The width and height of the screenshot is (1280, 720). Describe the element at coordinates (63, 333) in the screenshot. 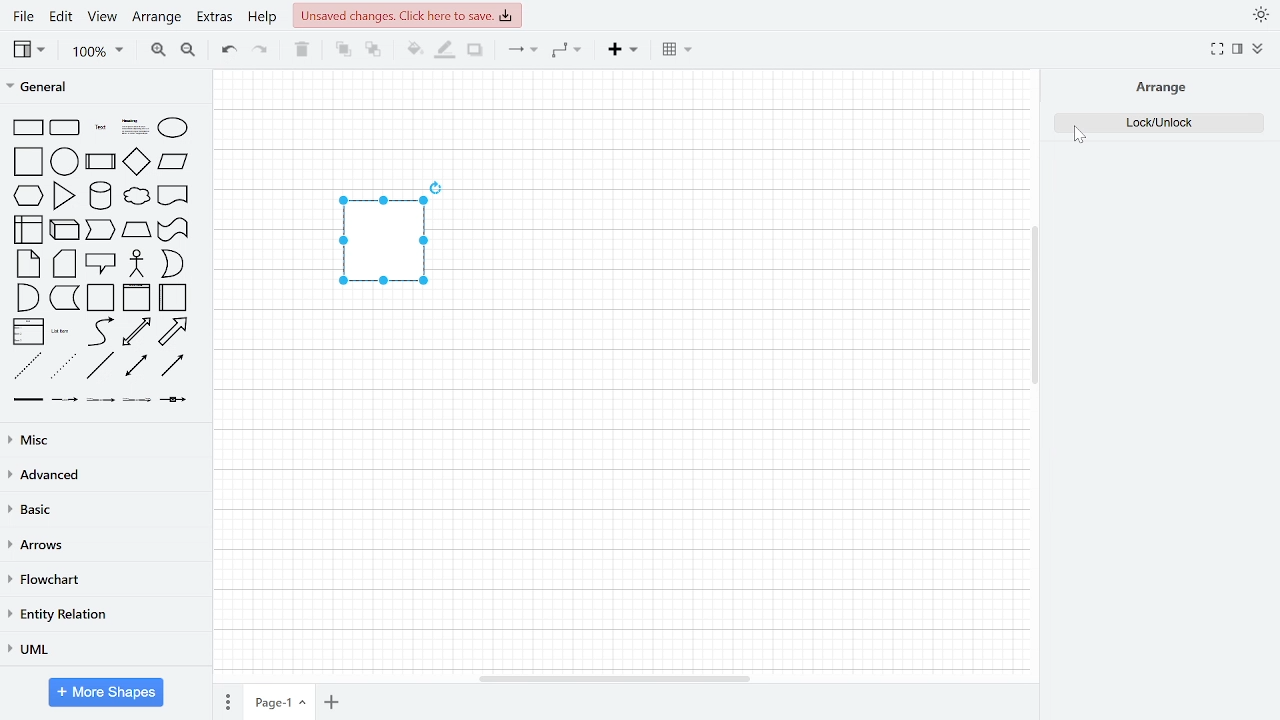

I see `list item` at that location.